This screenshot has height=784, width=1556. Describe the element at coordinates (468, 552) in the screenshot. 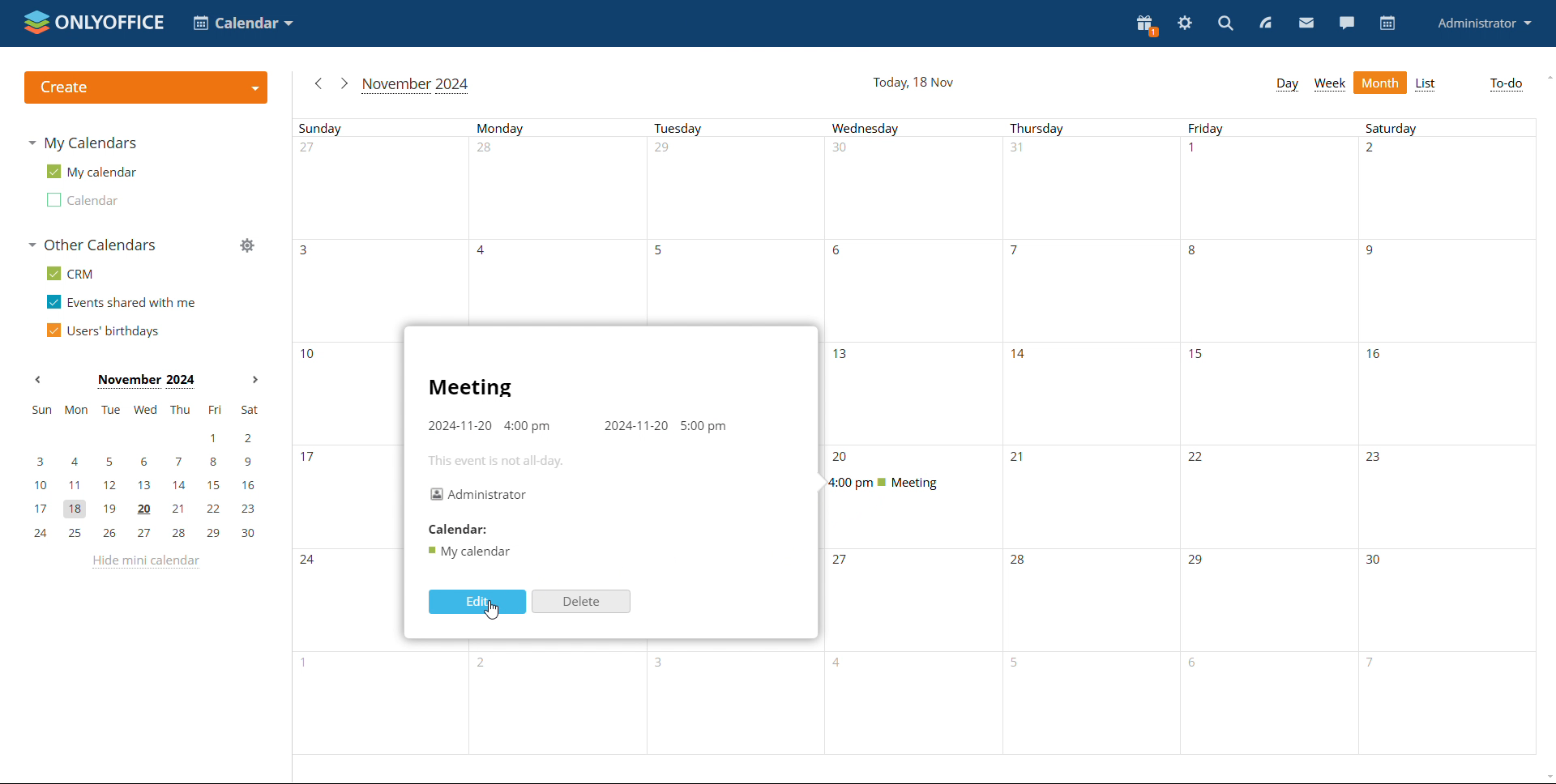

I see `meeting calendar` at that location.